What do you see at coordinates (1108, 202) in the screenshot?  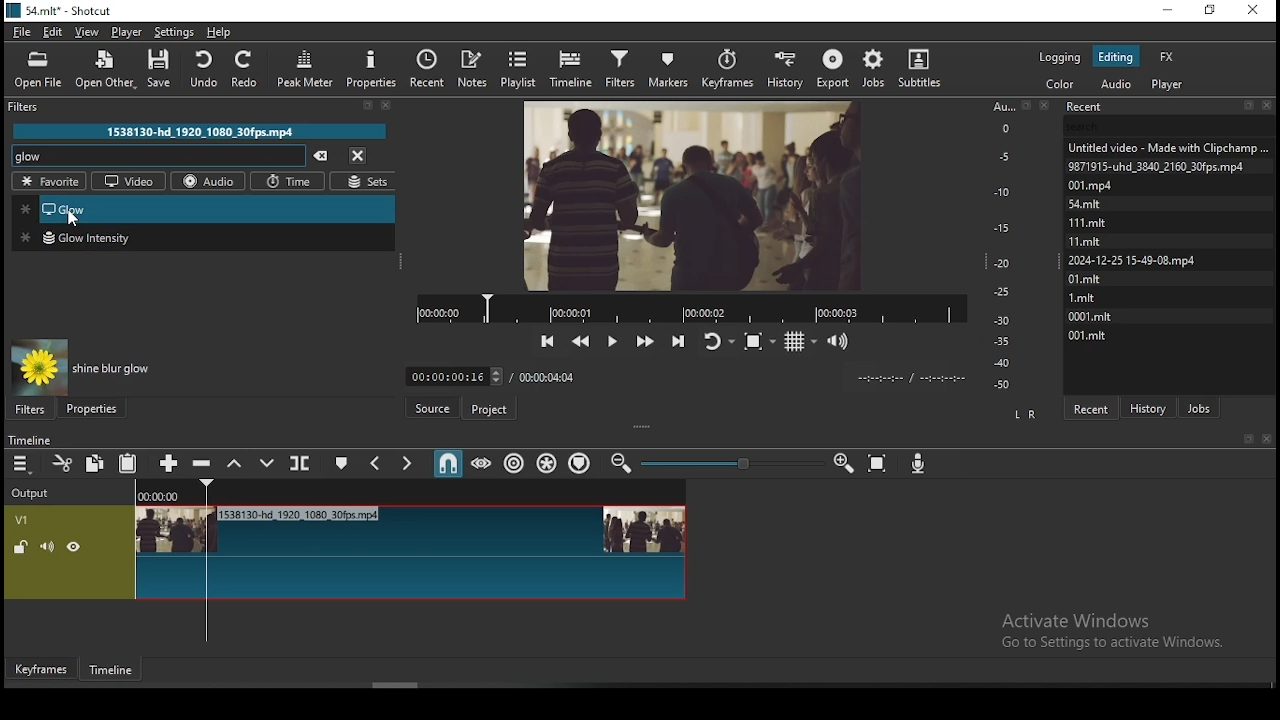 I see `54.mit` at bounding box center [1108, 202].